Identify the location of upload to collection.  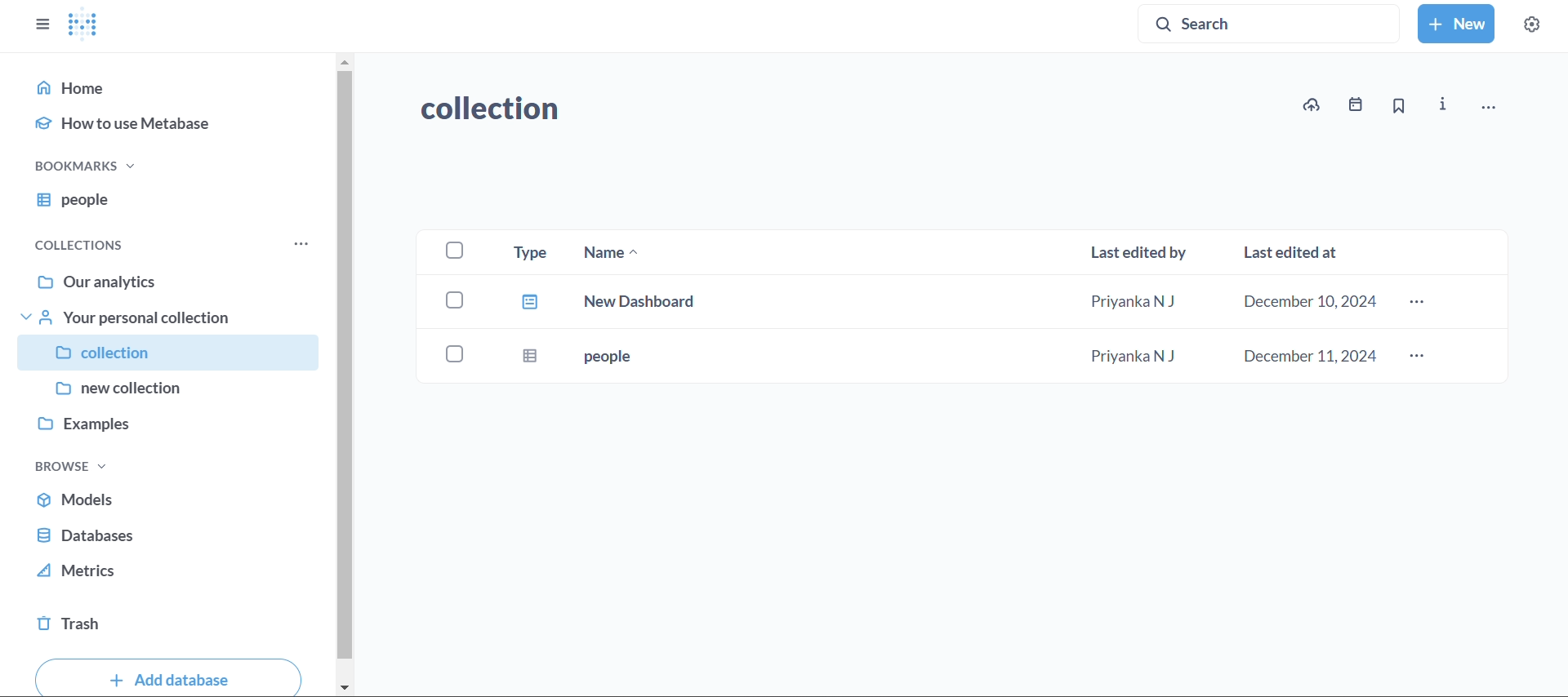
(1312, 106).